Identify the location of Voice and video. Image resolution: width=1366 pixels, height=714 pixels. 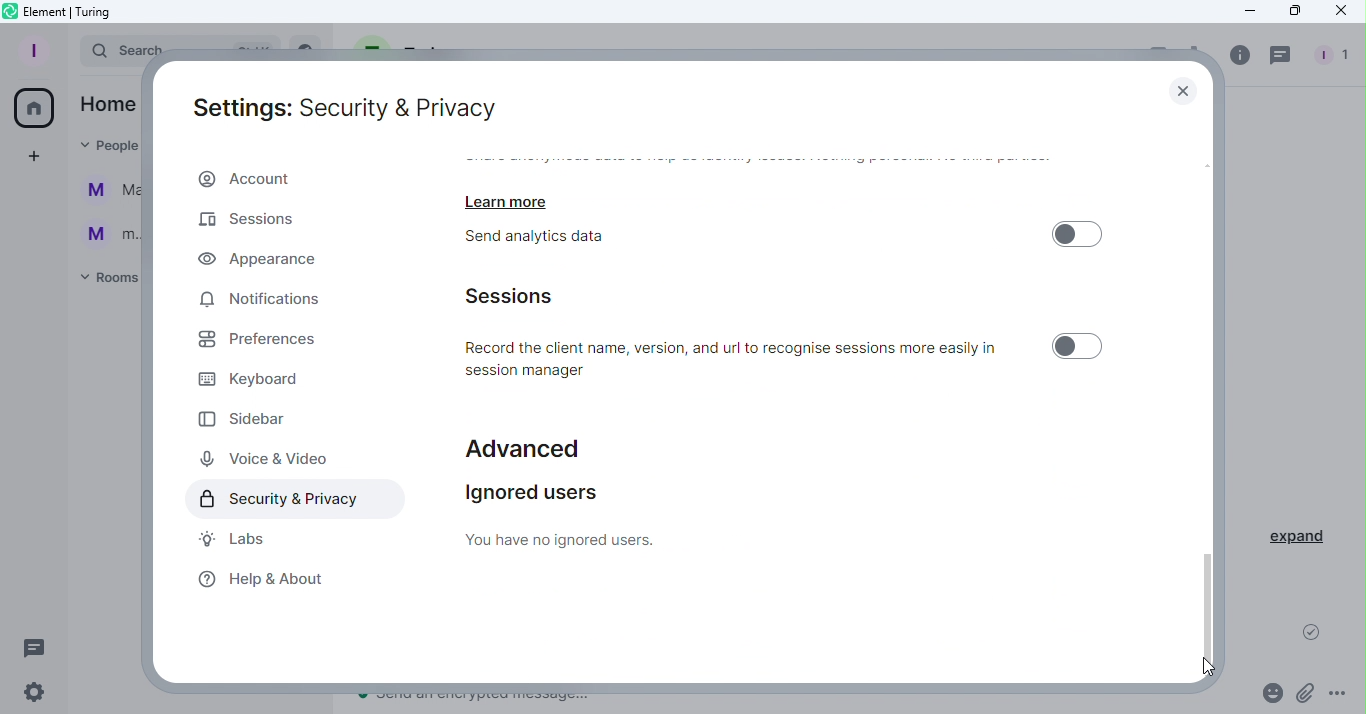
(264, 457).